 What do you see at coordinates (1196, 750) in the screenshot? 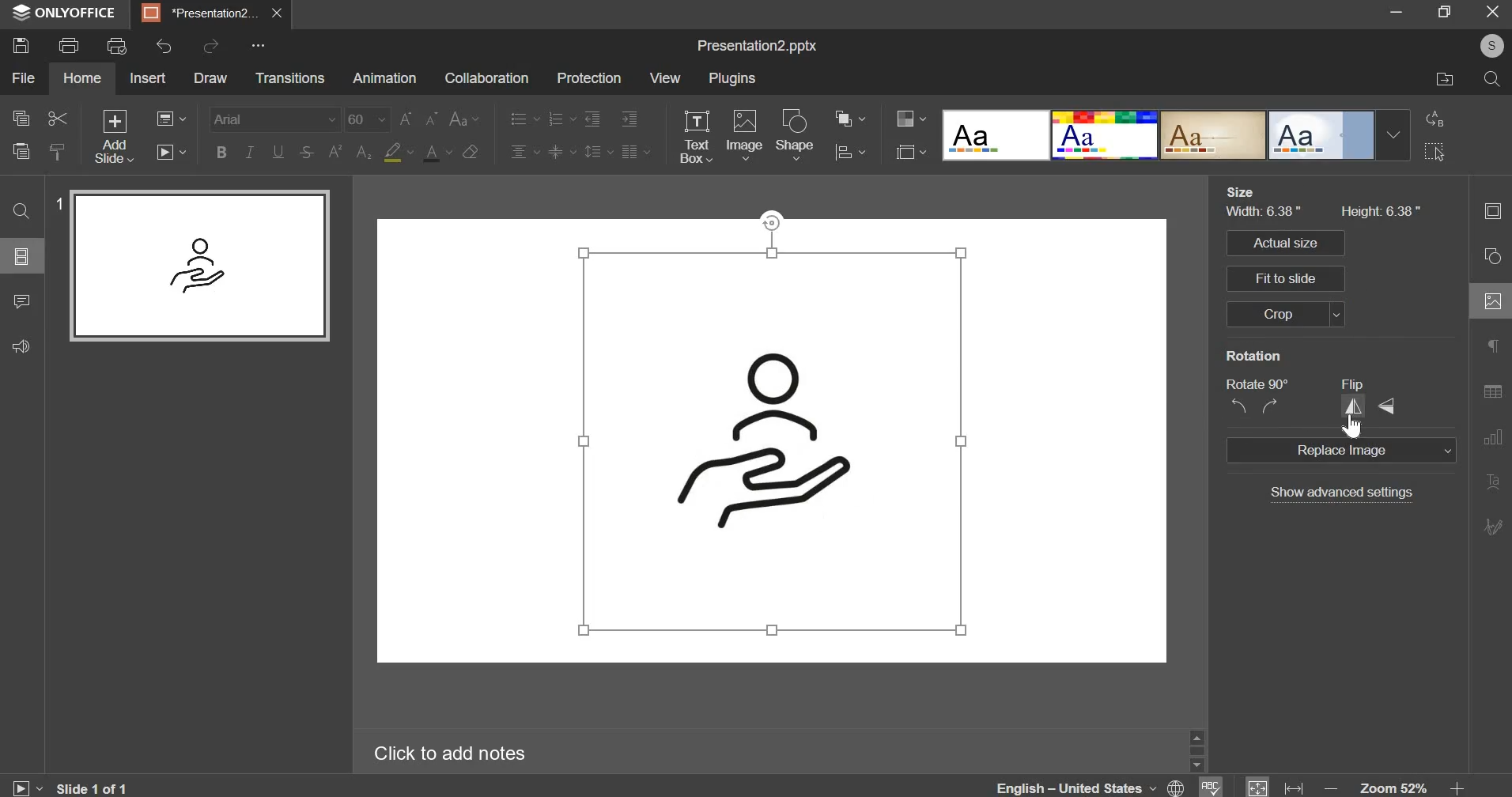
I see `vertical slider` at bounding box center [1196, 750].